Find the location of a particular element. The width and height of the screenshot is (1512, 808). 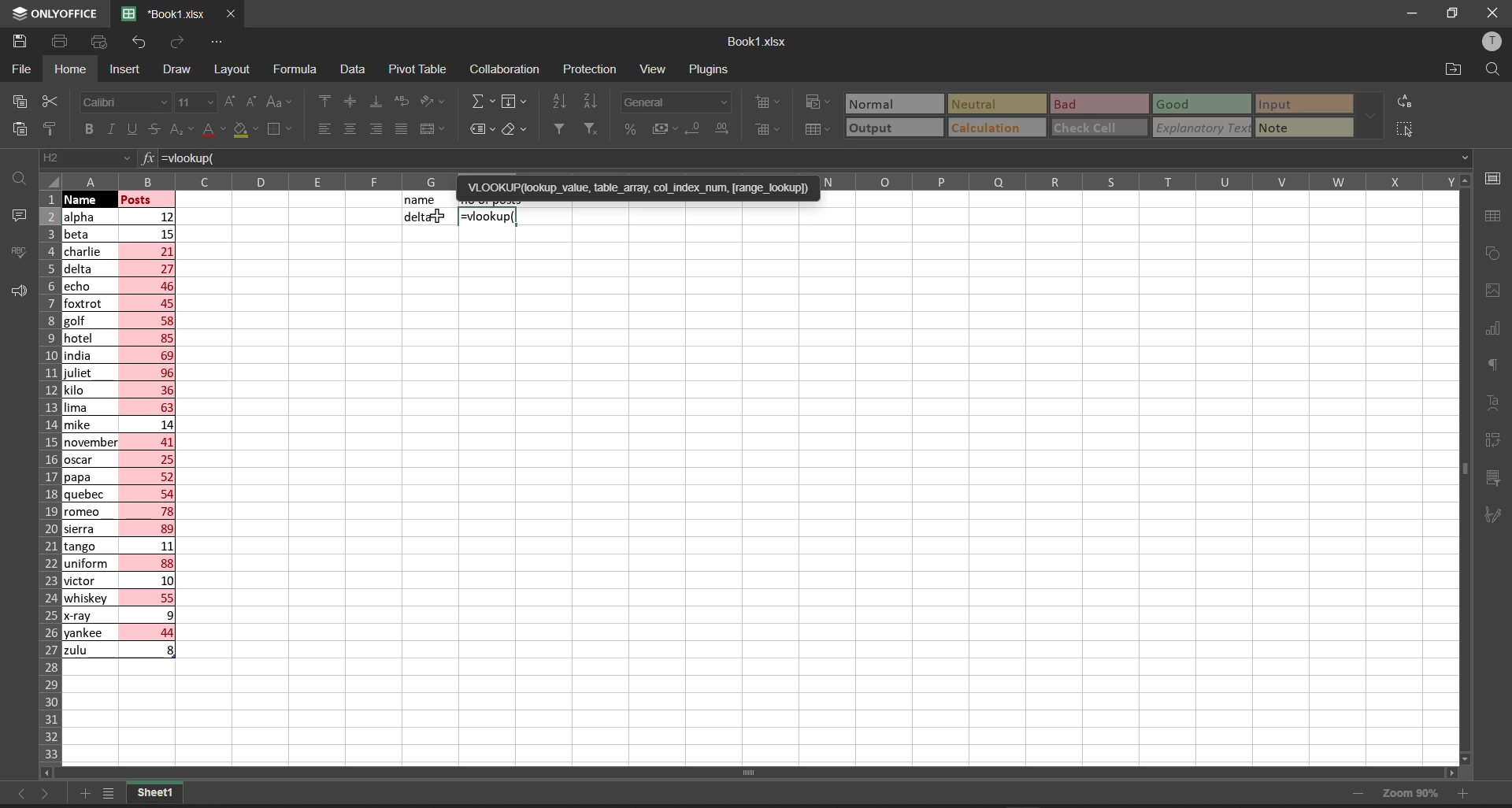

cut is located at coordinates (51, 98).